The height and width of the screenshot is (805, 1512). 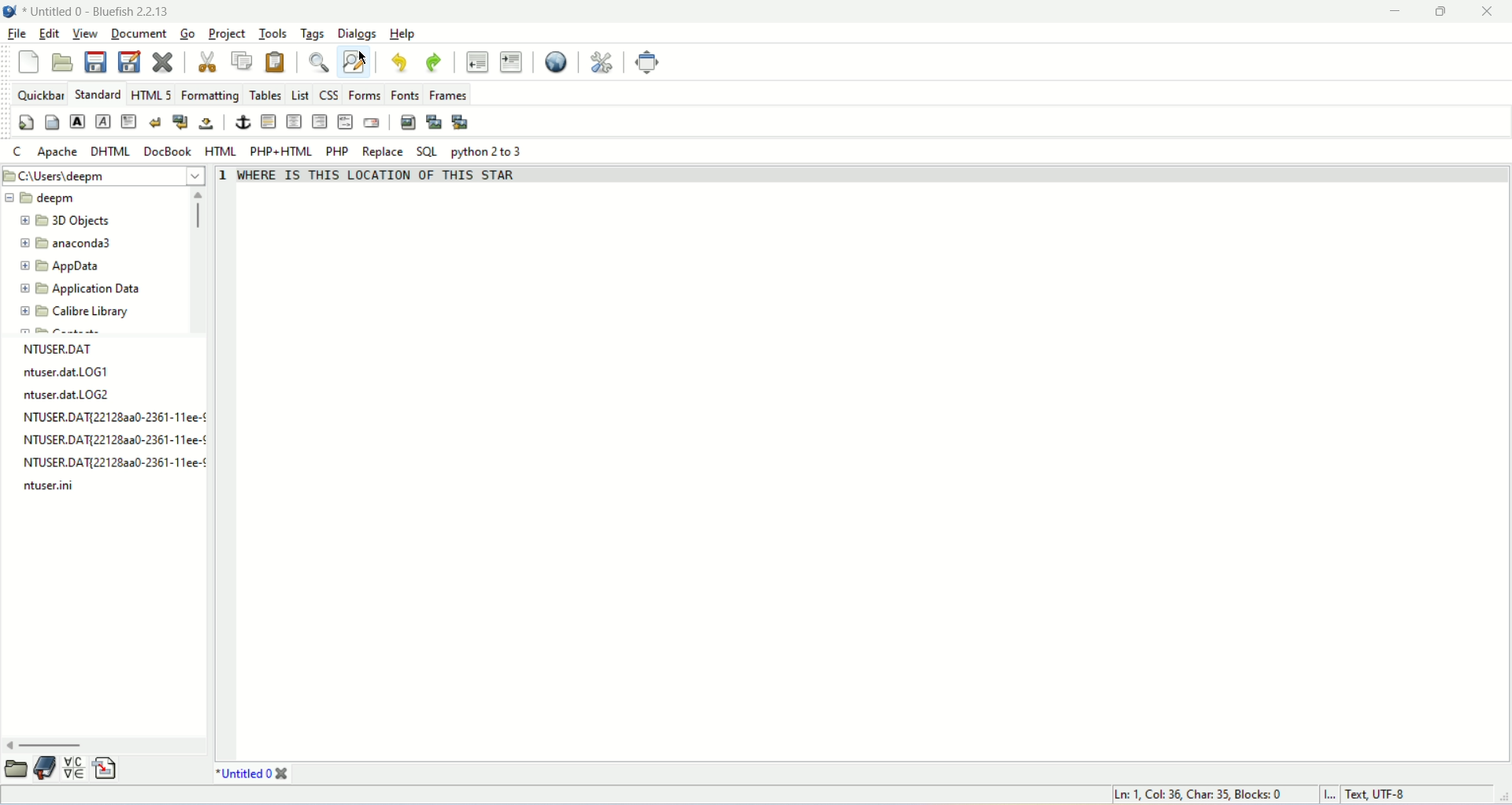 What do you see at coordinates (77, 122) in the screenshot?
I see `strong` at bounding box center [77, 122].